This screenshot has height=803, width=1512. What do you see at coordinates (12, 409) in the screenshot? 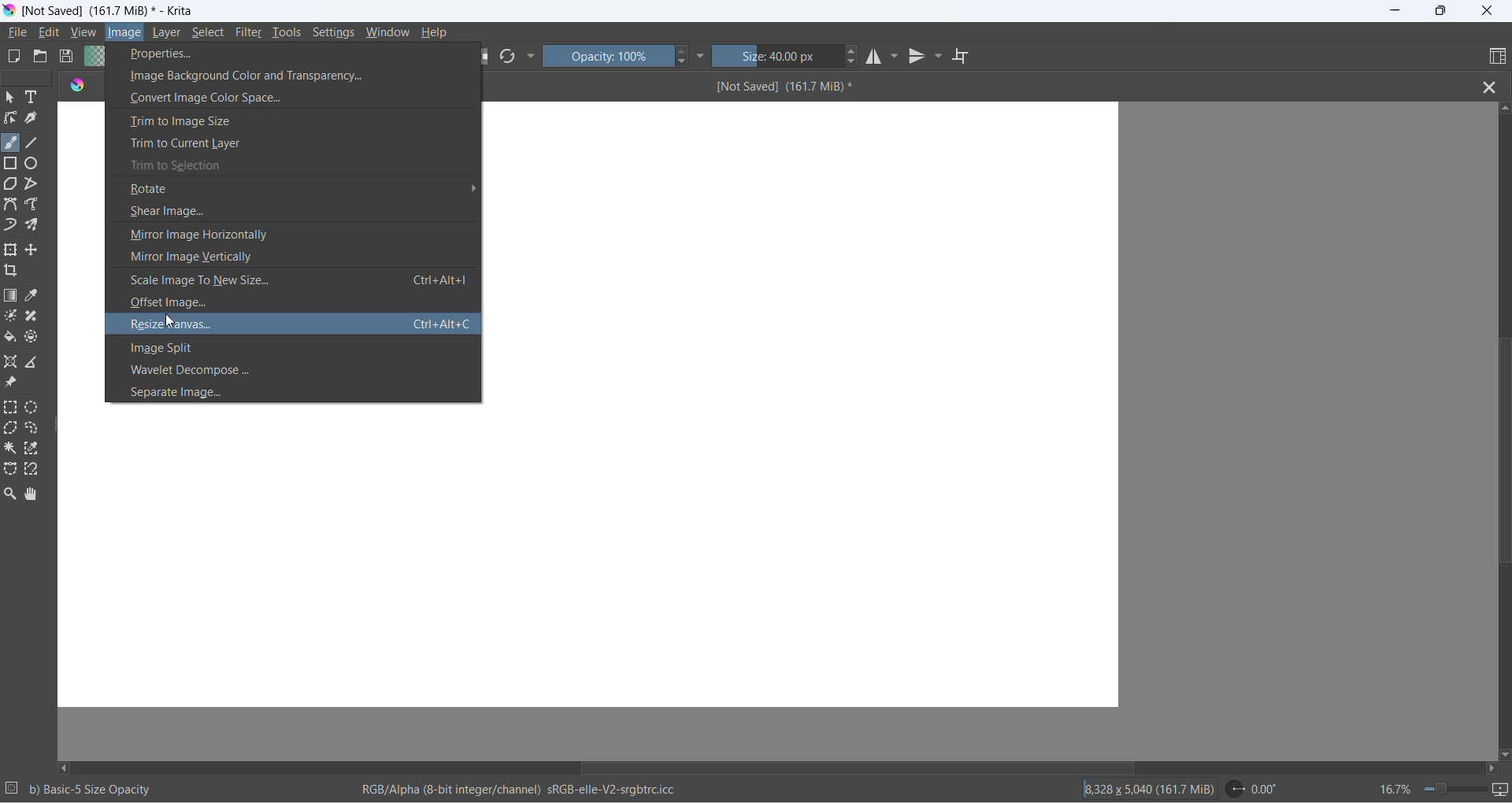
I see `rectangular selection tool` at bounding box center [12, 409].